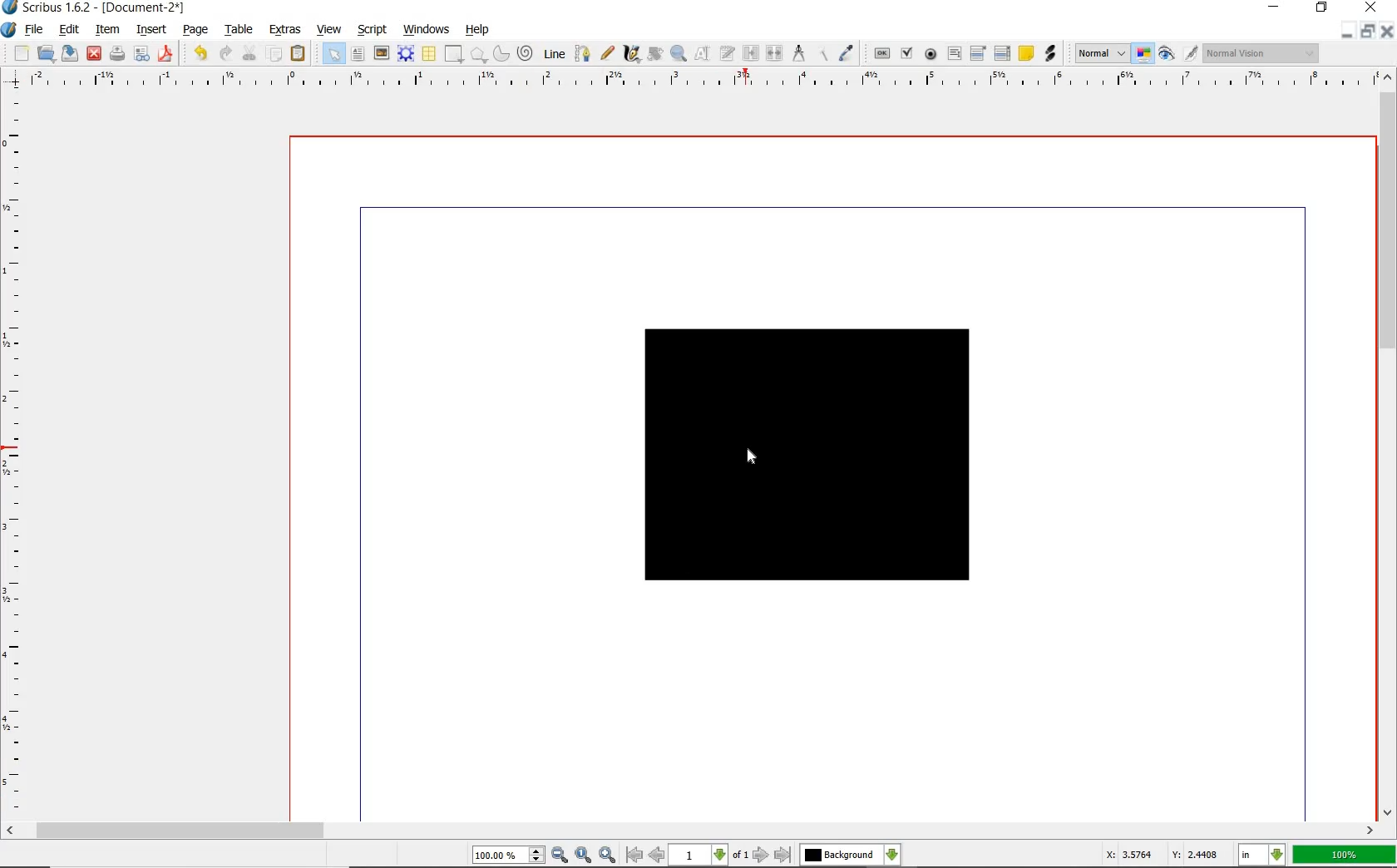 This screenshot has width=1397, height=868. What do you see at coordinates (701, 54) in the screenshot?
I see `edit content of frame` at bounding box center [701, 54].